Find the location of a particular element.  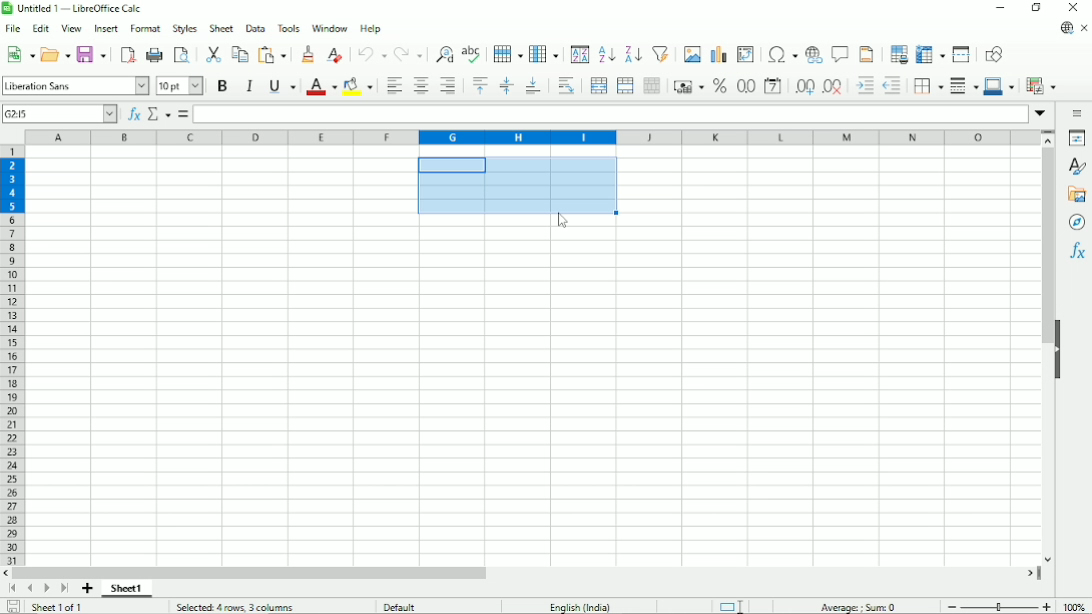

Format as percent is located at coordinates (719, 86).